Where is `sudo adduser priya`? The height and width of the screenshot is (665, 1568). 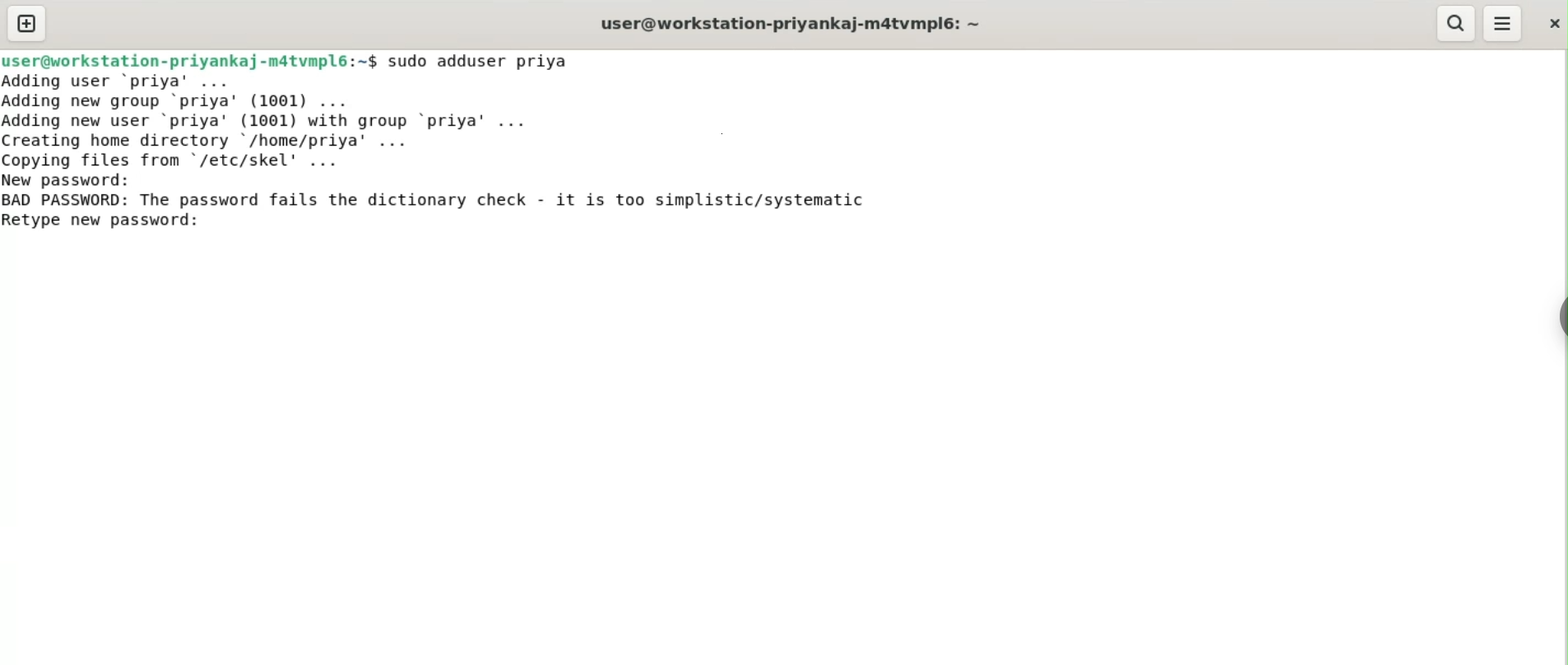 sudo adduser priya is located at coordinates (480, 61).